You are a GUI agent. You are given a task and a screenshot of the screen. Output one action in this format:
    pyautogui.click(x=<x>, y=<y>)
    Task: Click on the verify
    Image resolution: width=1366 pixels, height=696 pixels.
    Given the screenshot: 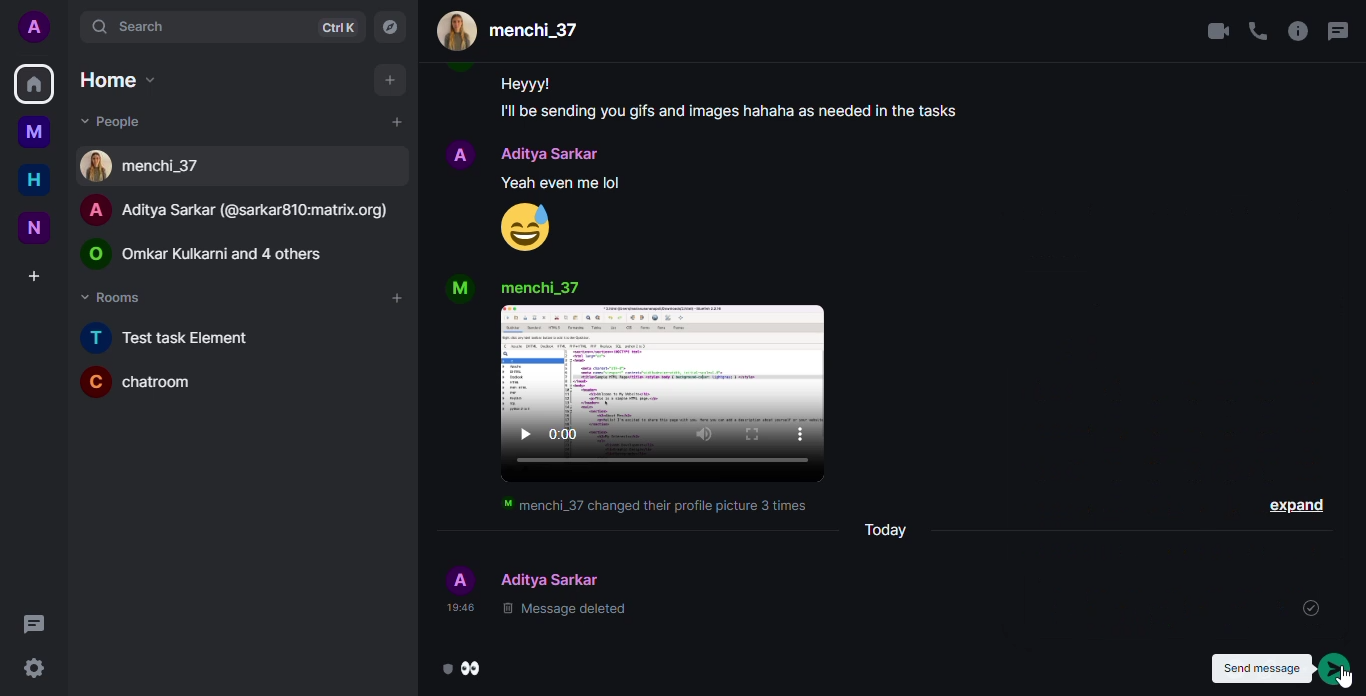 What is the action you would take?
    pyautogui.click(x=1307, y=607)
    